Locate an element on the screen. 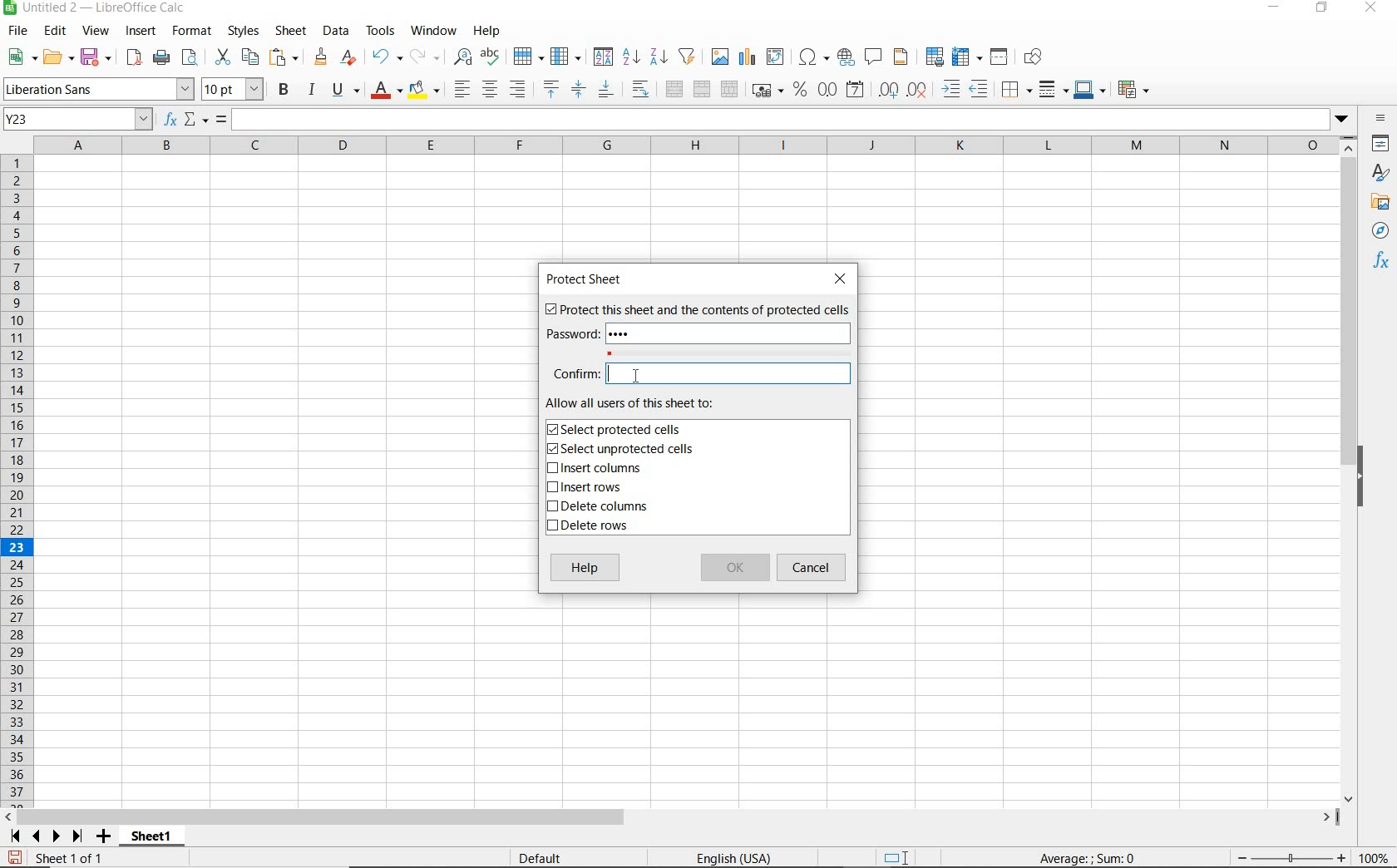 This screenshot has width=1397, height=868. HELP is located at coordinates (585, 570).